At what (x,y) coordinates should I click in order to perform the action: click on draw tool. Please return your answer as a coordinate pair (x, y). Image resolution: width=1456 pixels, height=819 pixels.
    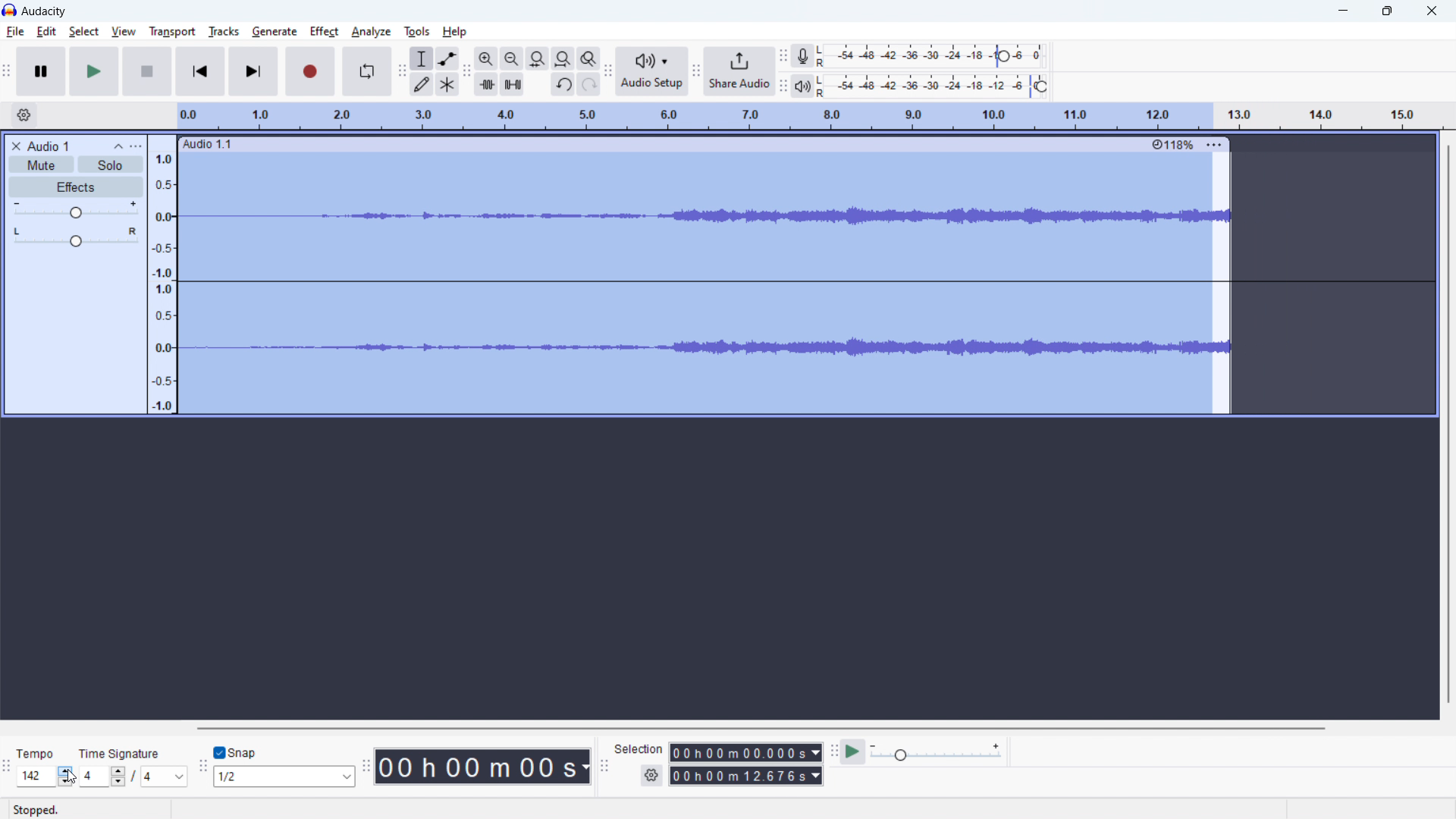
    Looking at the image, I should click on (422, 83).